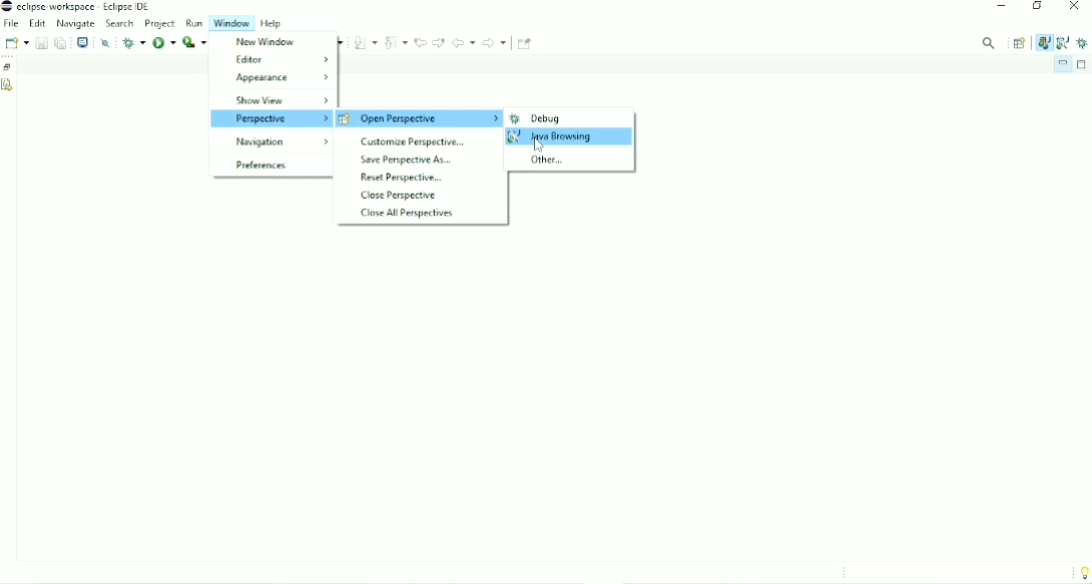 The width and height of the screenshot is (1092, 584). What do you see at coordinates (1063, 42) in the screenshot?
I see `Java Browsing` at bounding box center [1063, 42].